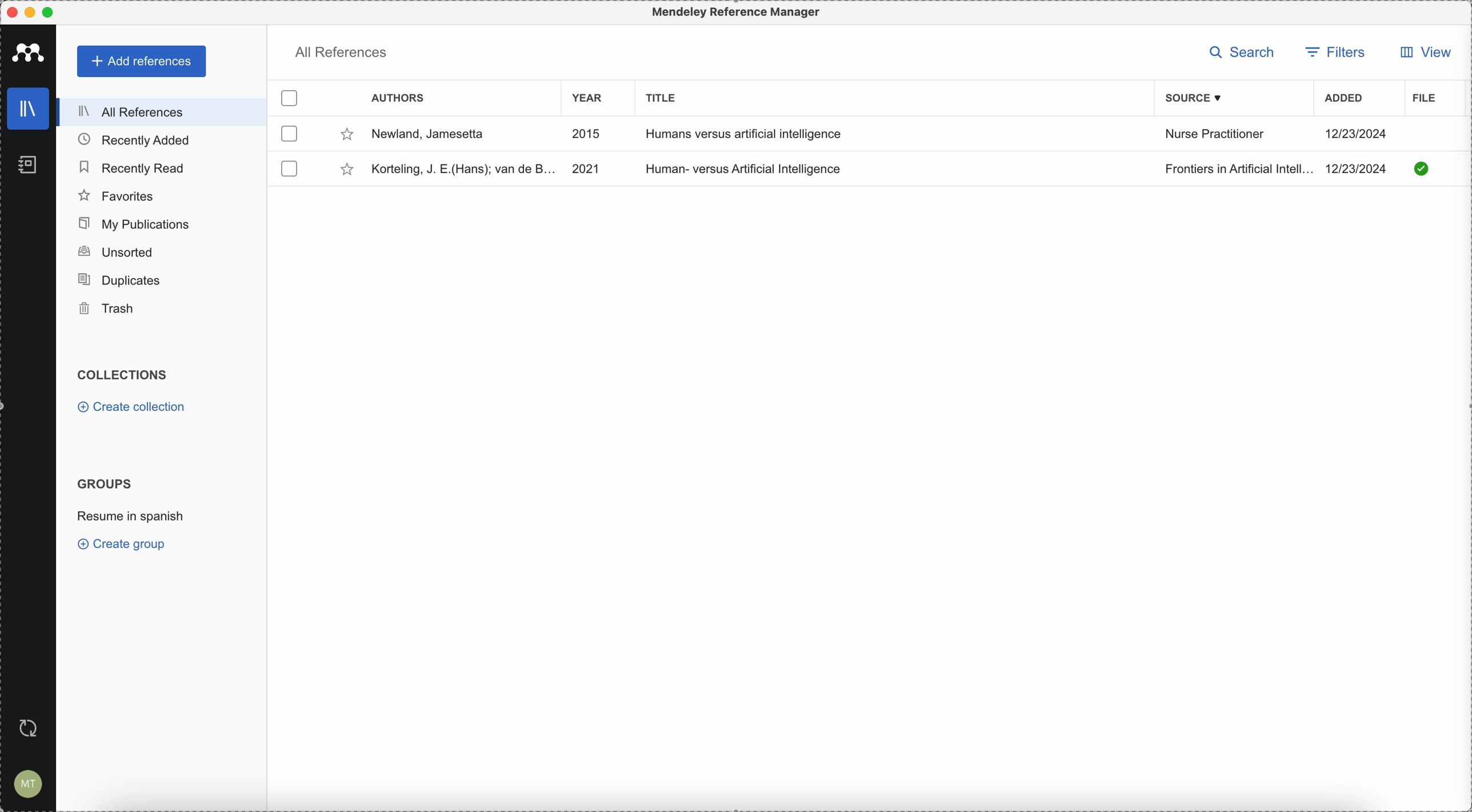 Image resolution: width=1472 pixels, height=812 pixels. I want to click on accounts settings, so click(30, 783).